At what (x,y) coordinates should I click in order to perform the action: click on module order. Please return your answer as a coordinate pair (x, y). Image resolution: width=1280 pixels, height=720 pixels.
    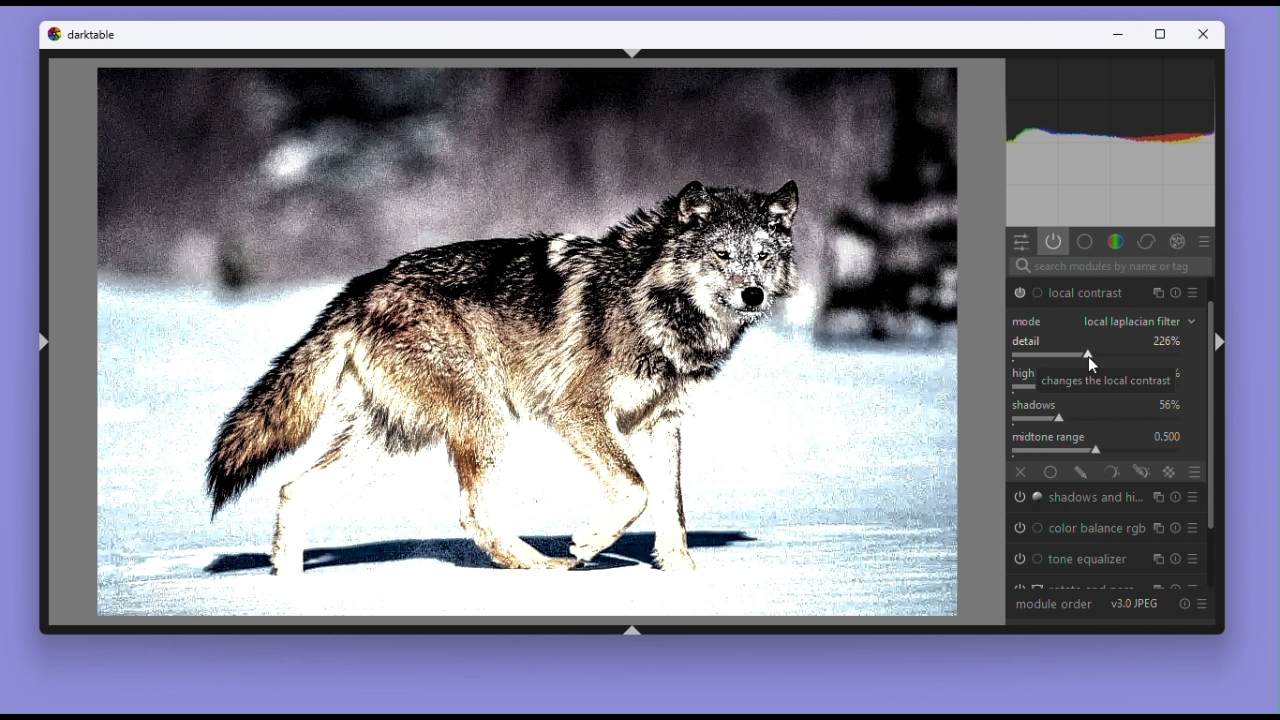
    Looking at the image, I should click on (1053, 603).